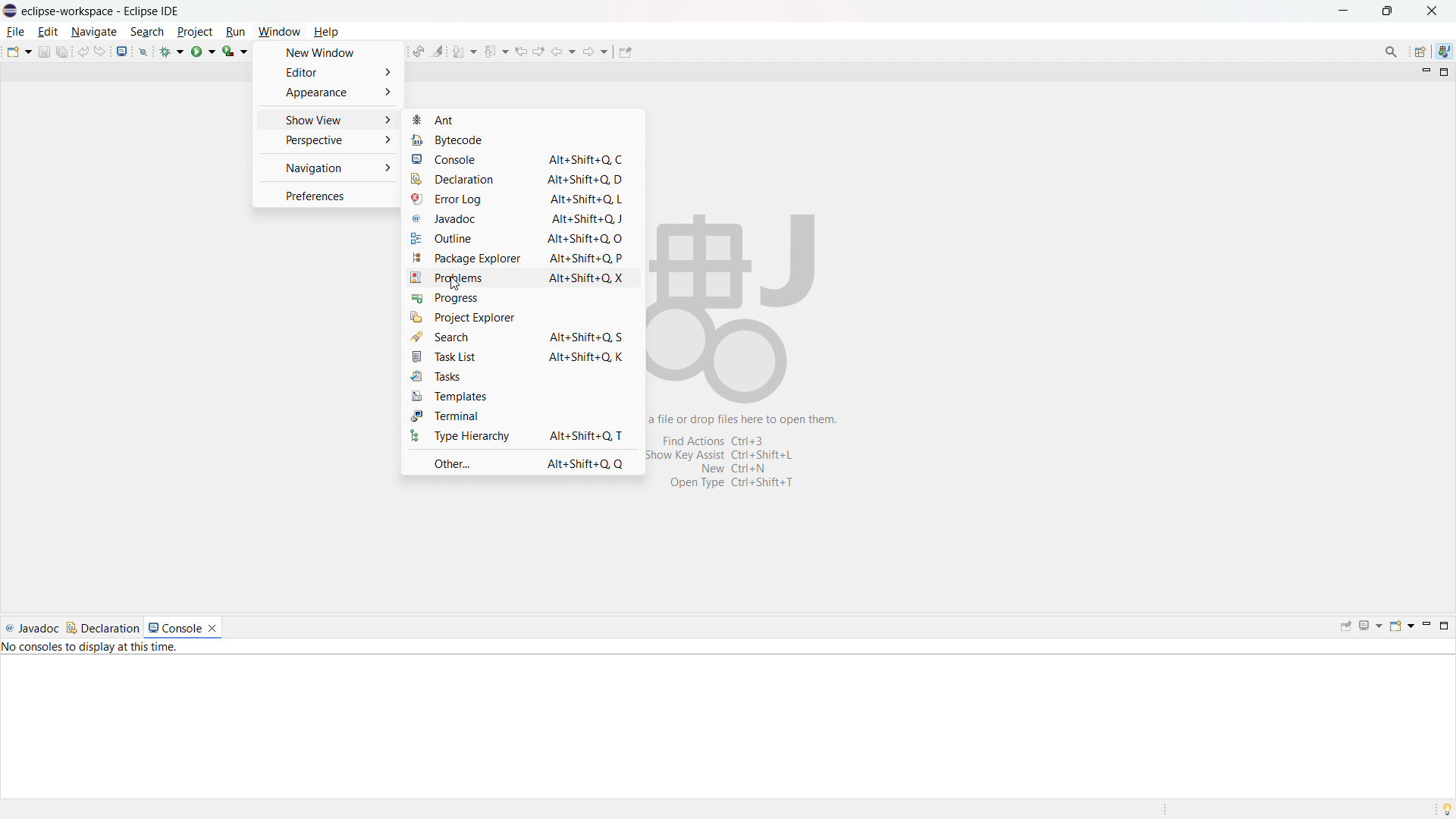 This screenshot has height=819, width=1456. Describe the element at coordinates (595, 51) in the screenshot. I see `forward` at that location.